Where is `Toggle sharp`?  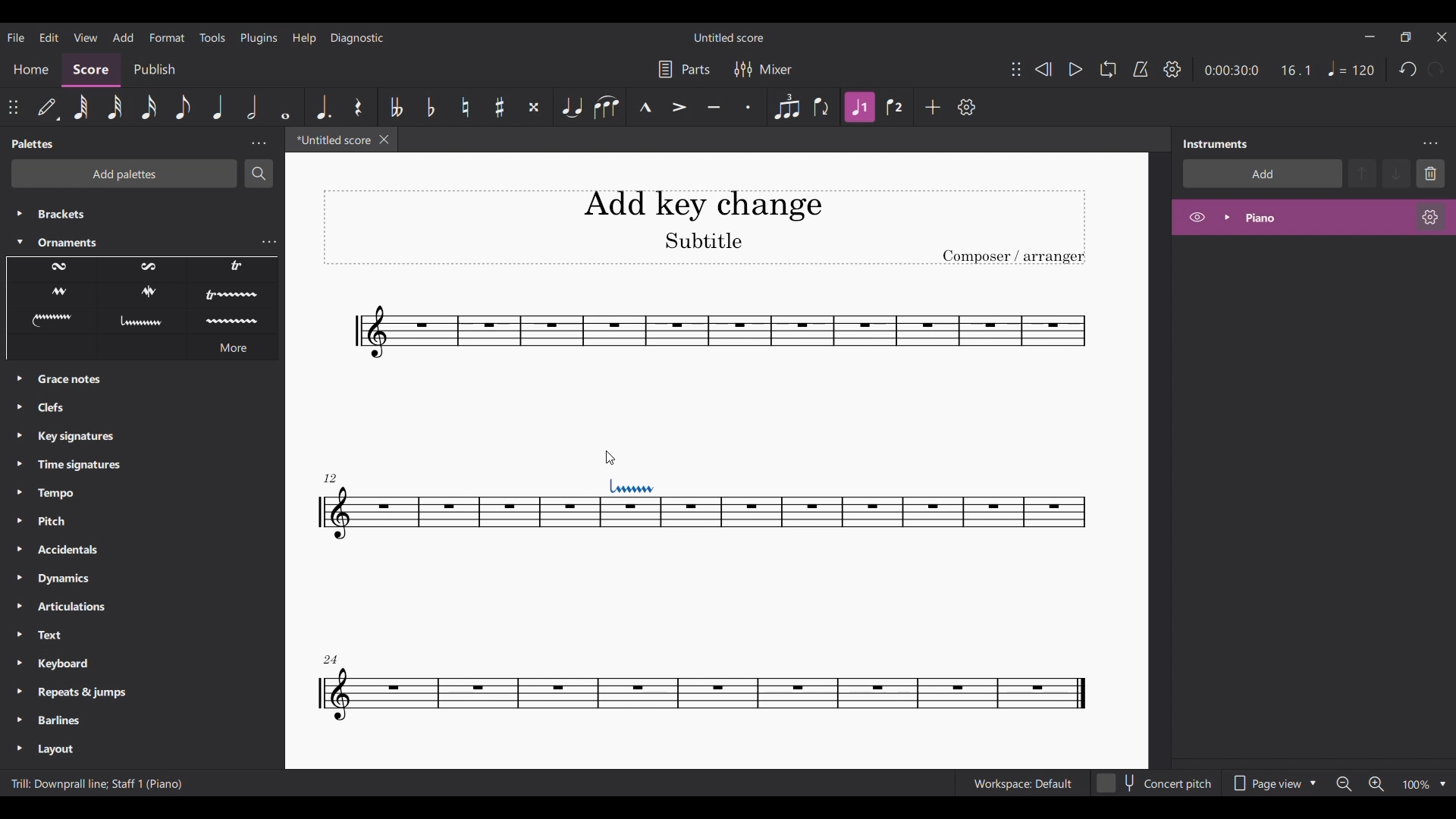
Toggle sharp is located at coordinates (499, 108).